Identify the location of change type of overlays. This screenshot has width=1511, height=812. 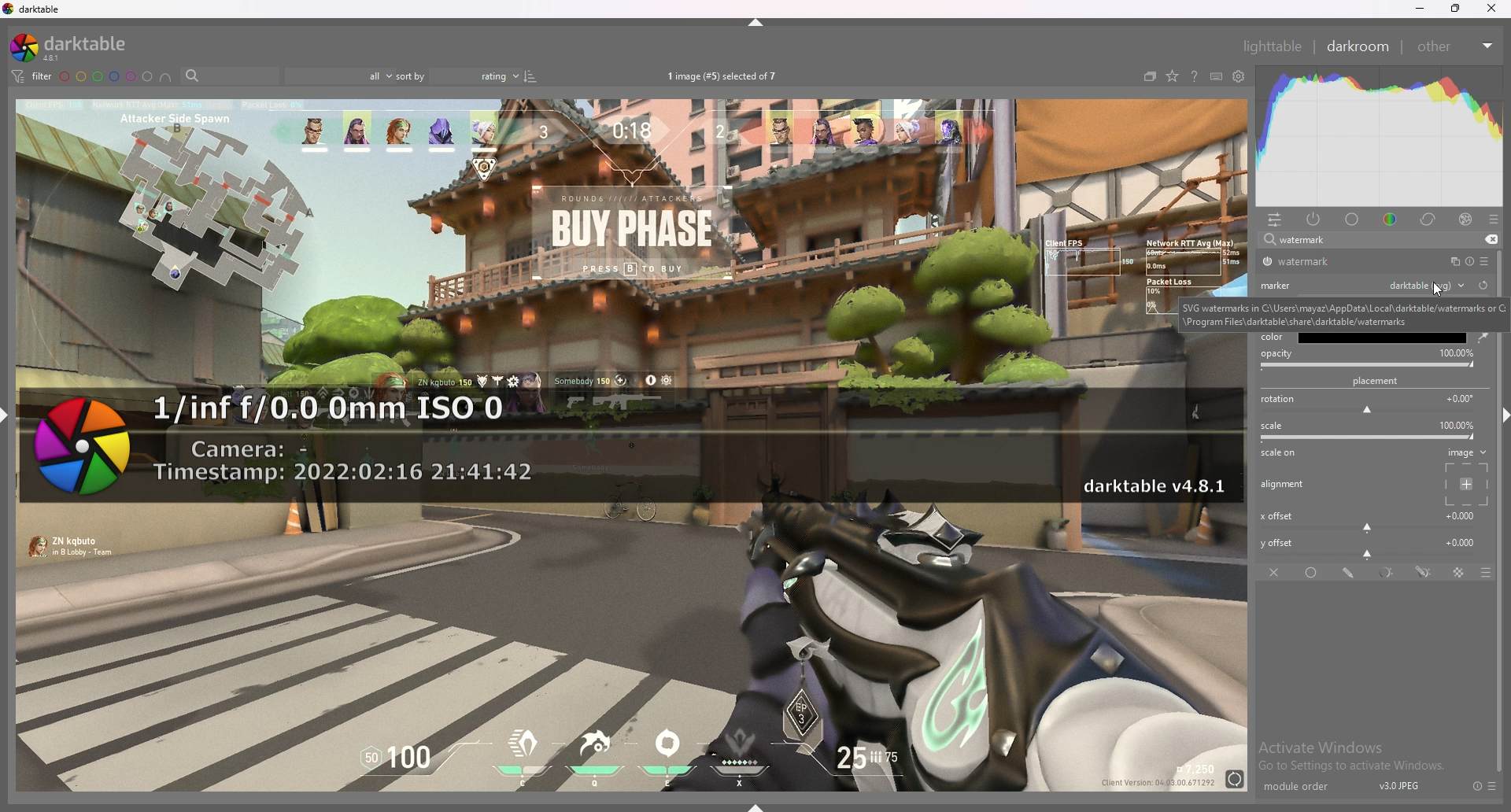
(1172, 77).